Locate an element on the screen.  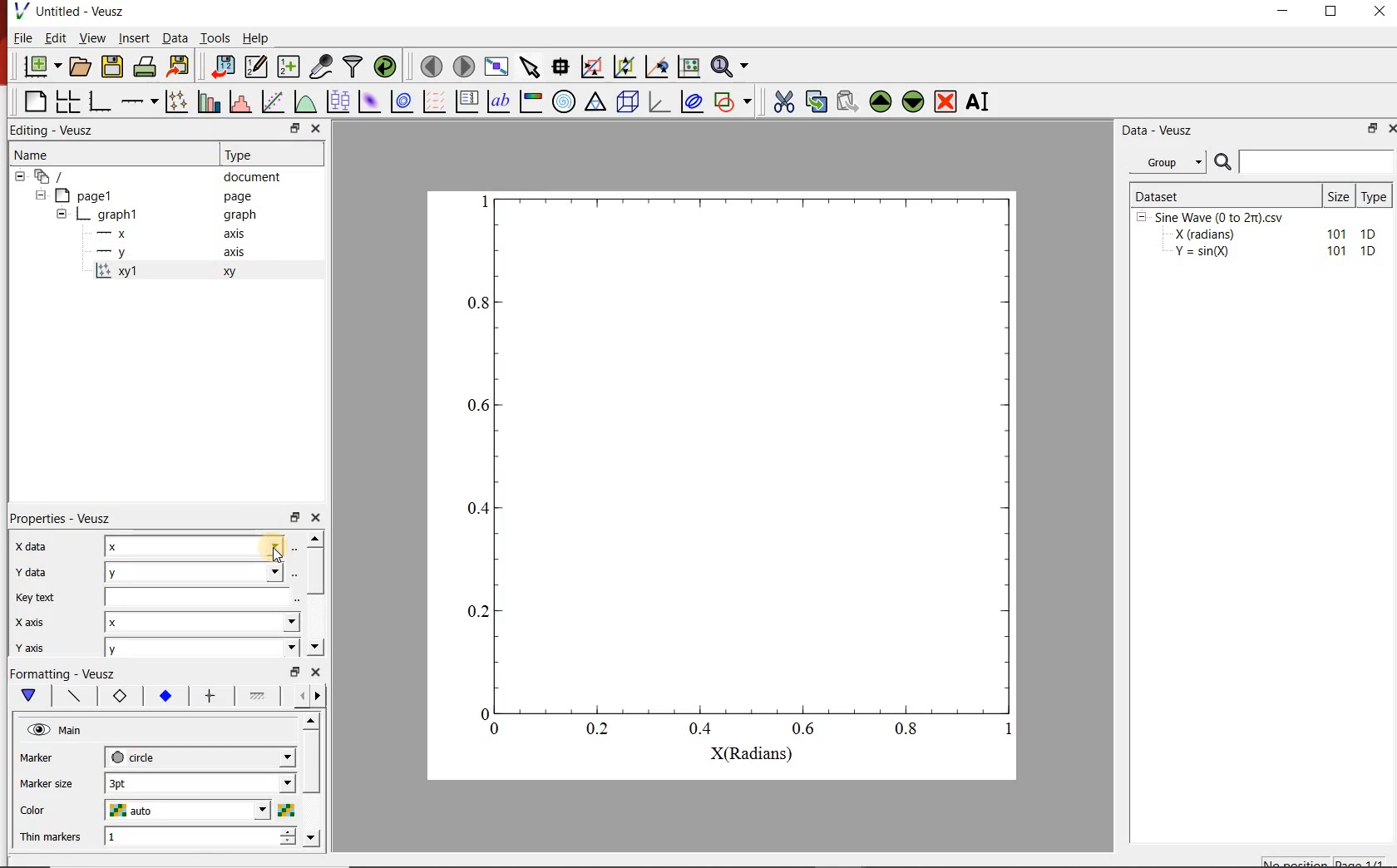
arrange graph is located at coordinates (68, 101).